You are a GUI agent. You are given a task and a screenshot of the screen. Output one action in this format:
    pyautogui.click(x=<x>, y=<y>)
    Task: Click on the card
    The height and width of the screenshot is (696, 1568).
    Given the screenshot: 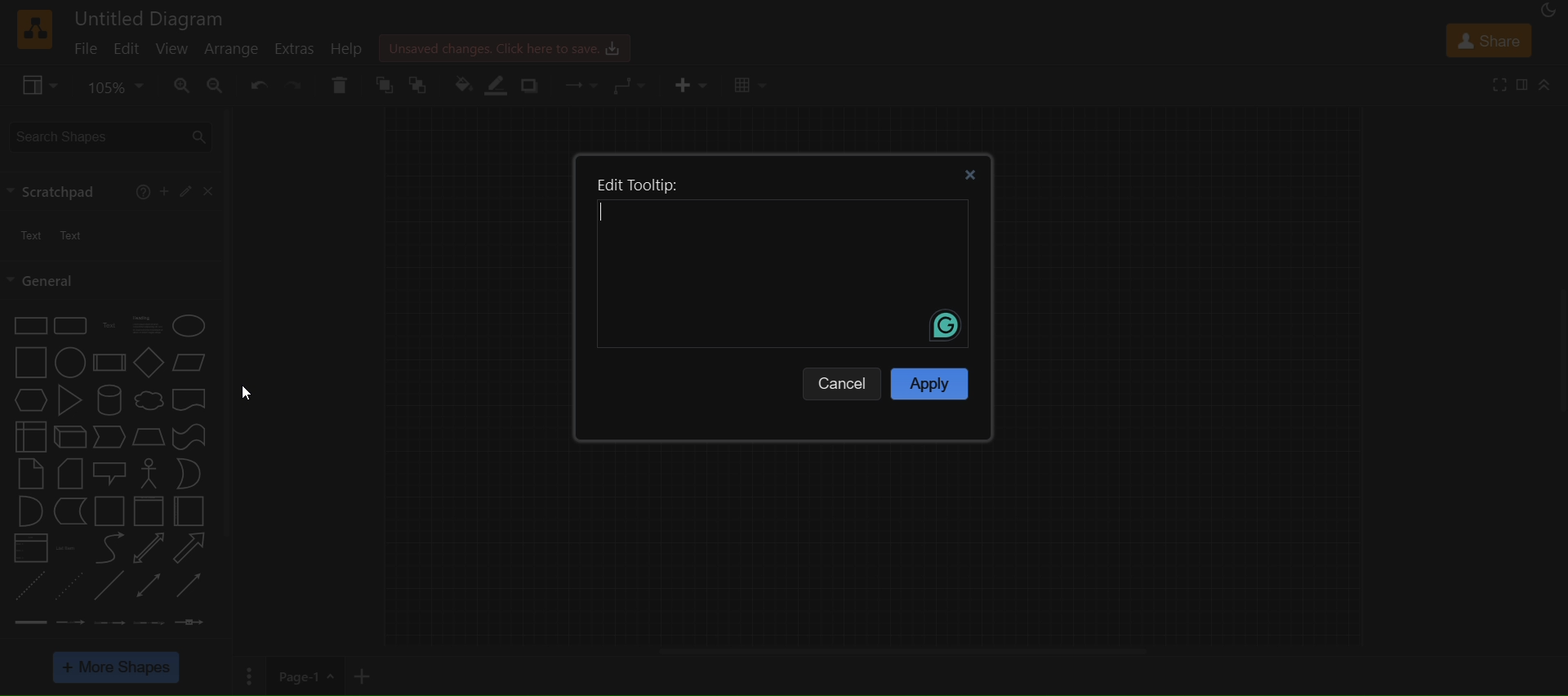 What is the action you would take?
    pyautogui.click(x=66, y=474)
    